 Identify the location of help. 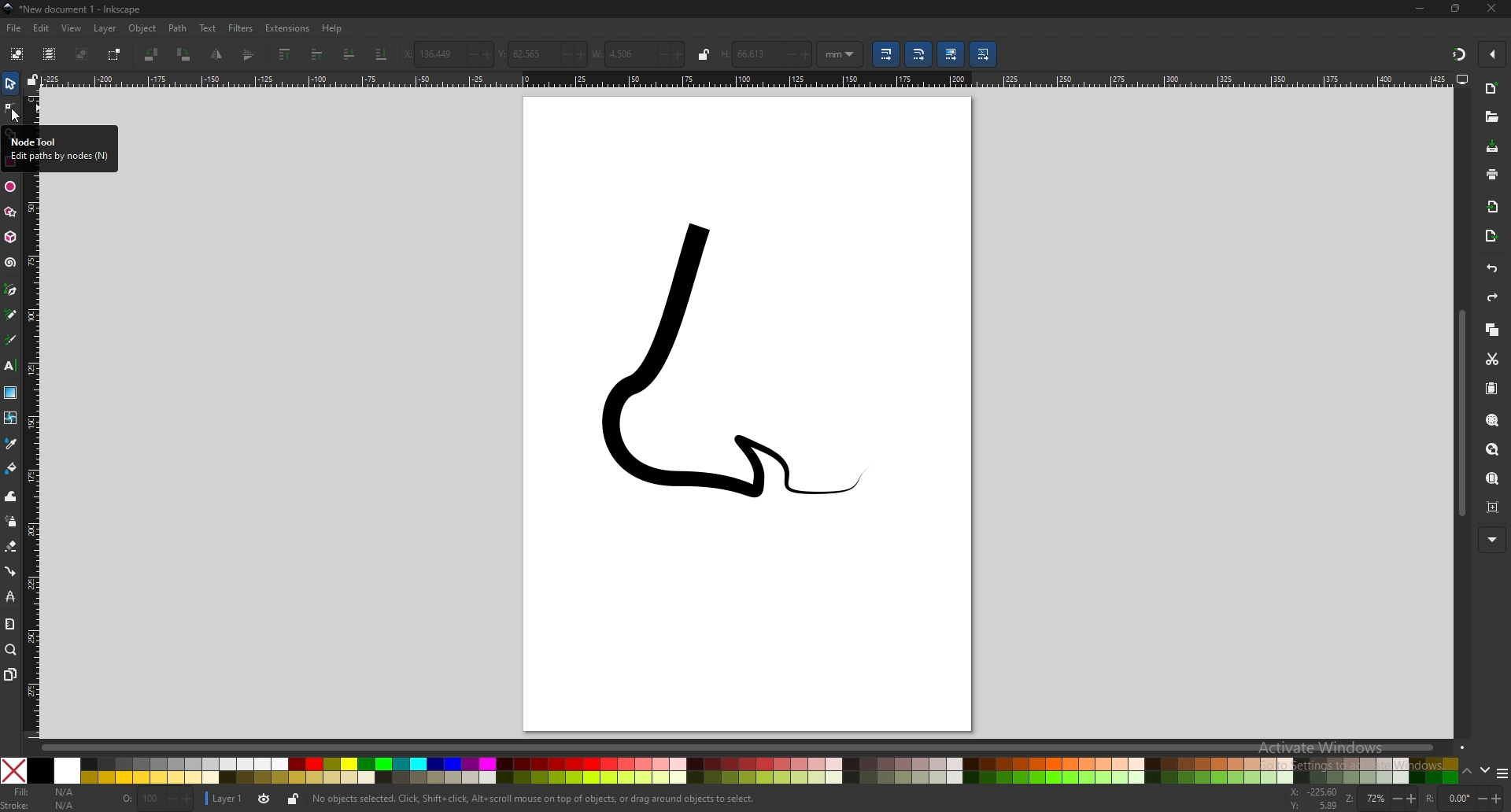
(334, 28).